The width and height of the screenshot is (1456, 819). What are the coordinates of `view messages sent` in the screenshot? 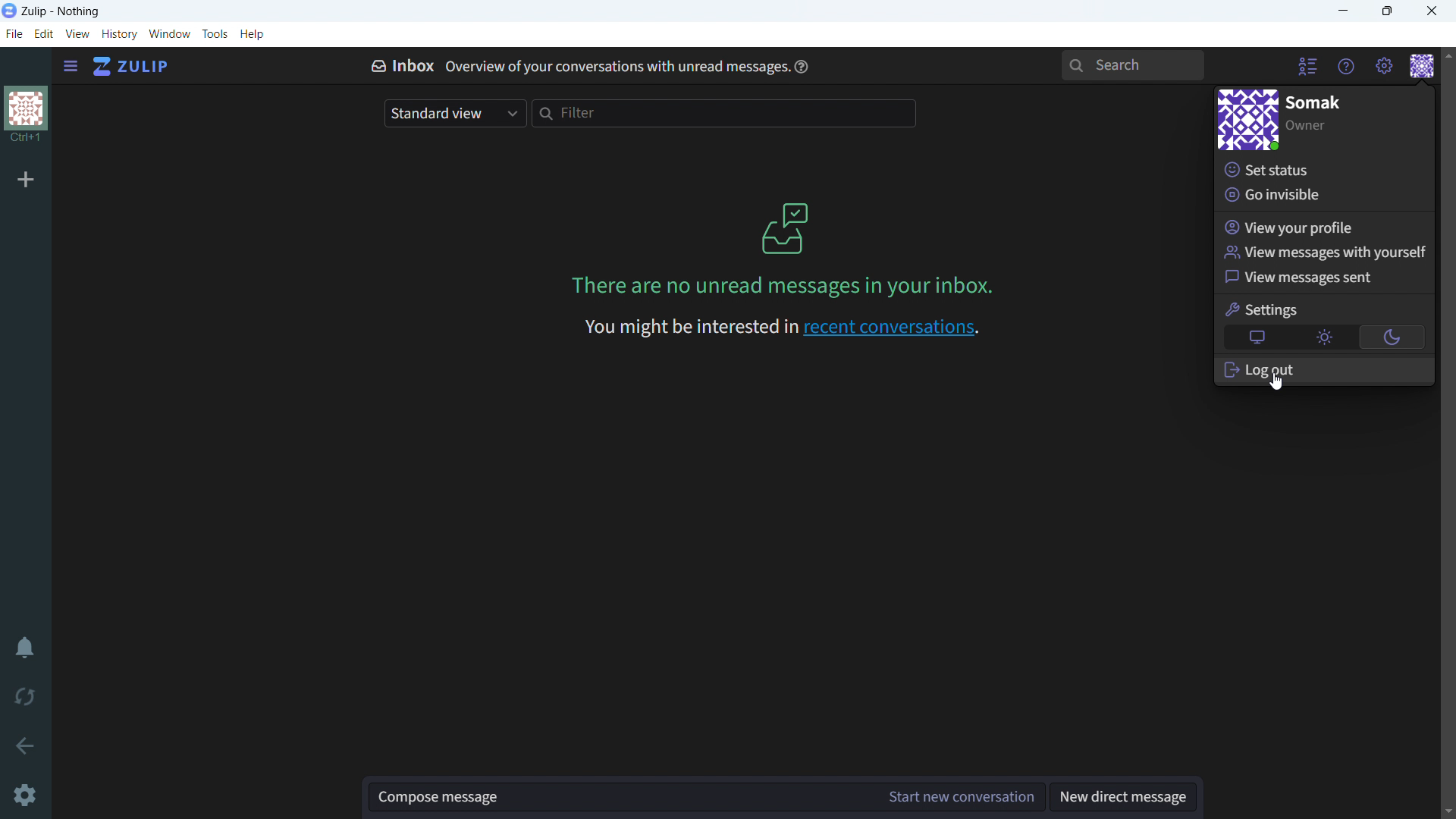 It's located at (1324, 278).